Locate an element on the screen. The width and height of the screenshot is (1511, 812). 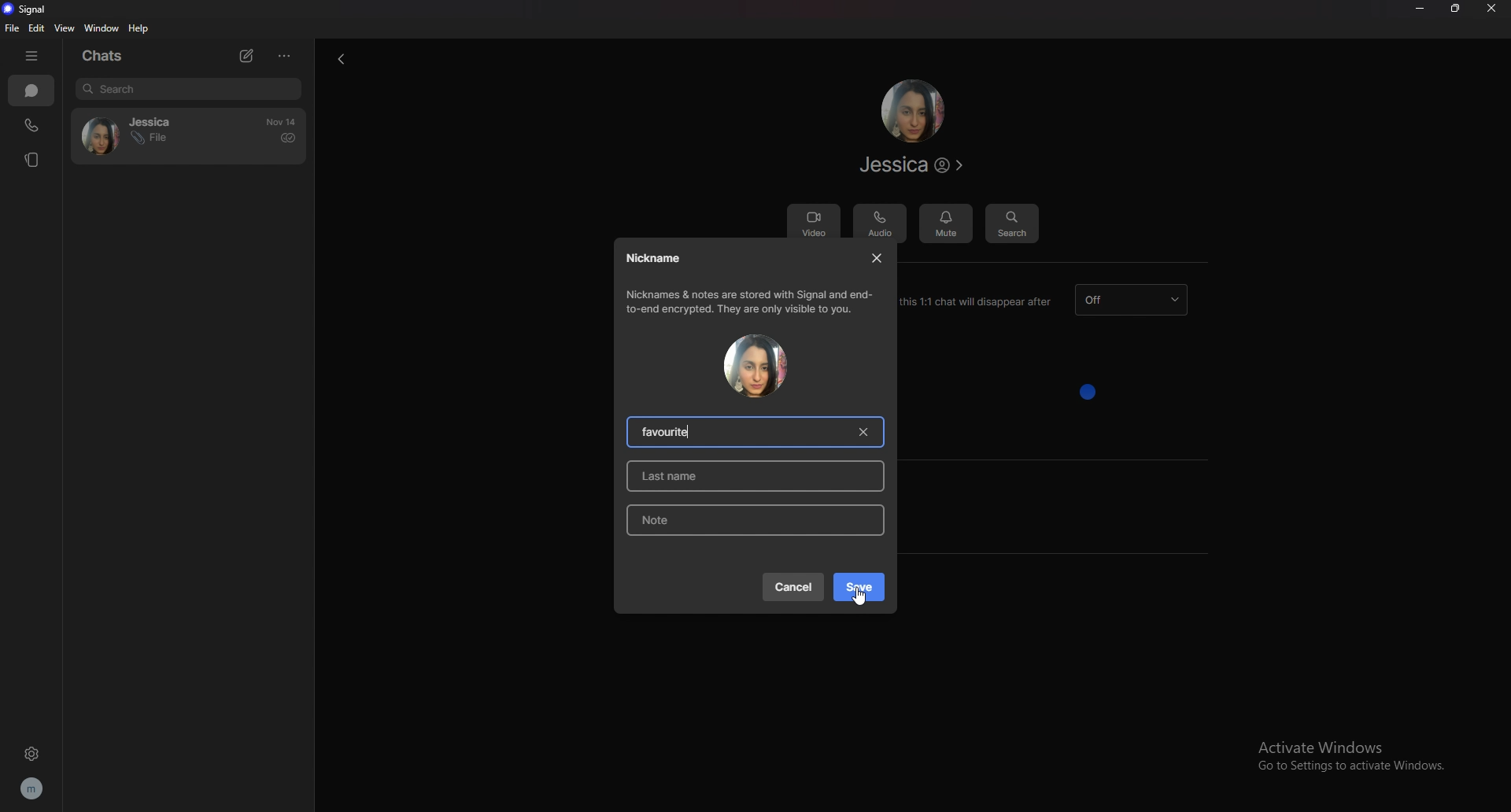
first name is located at coordinates (672, 431).